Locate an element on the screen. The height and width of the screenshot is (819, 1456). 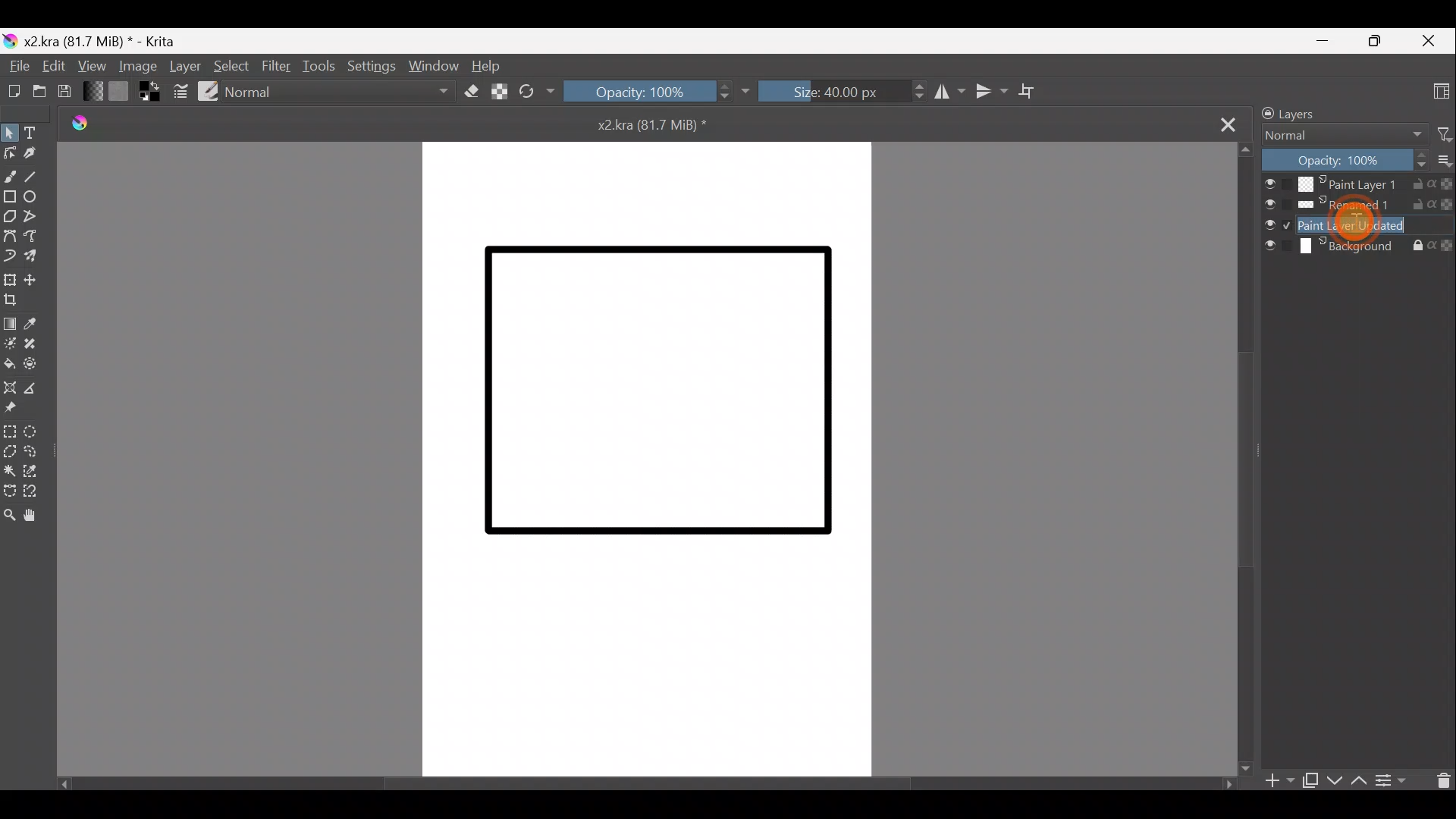
Fill a contiguous area of colour with colour/fill a selection is located at coordinates (9, 367).